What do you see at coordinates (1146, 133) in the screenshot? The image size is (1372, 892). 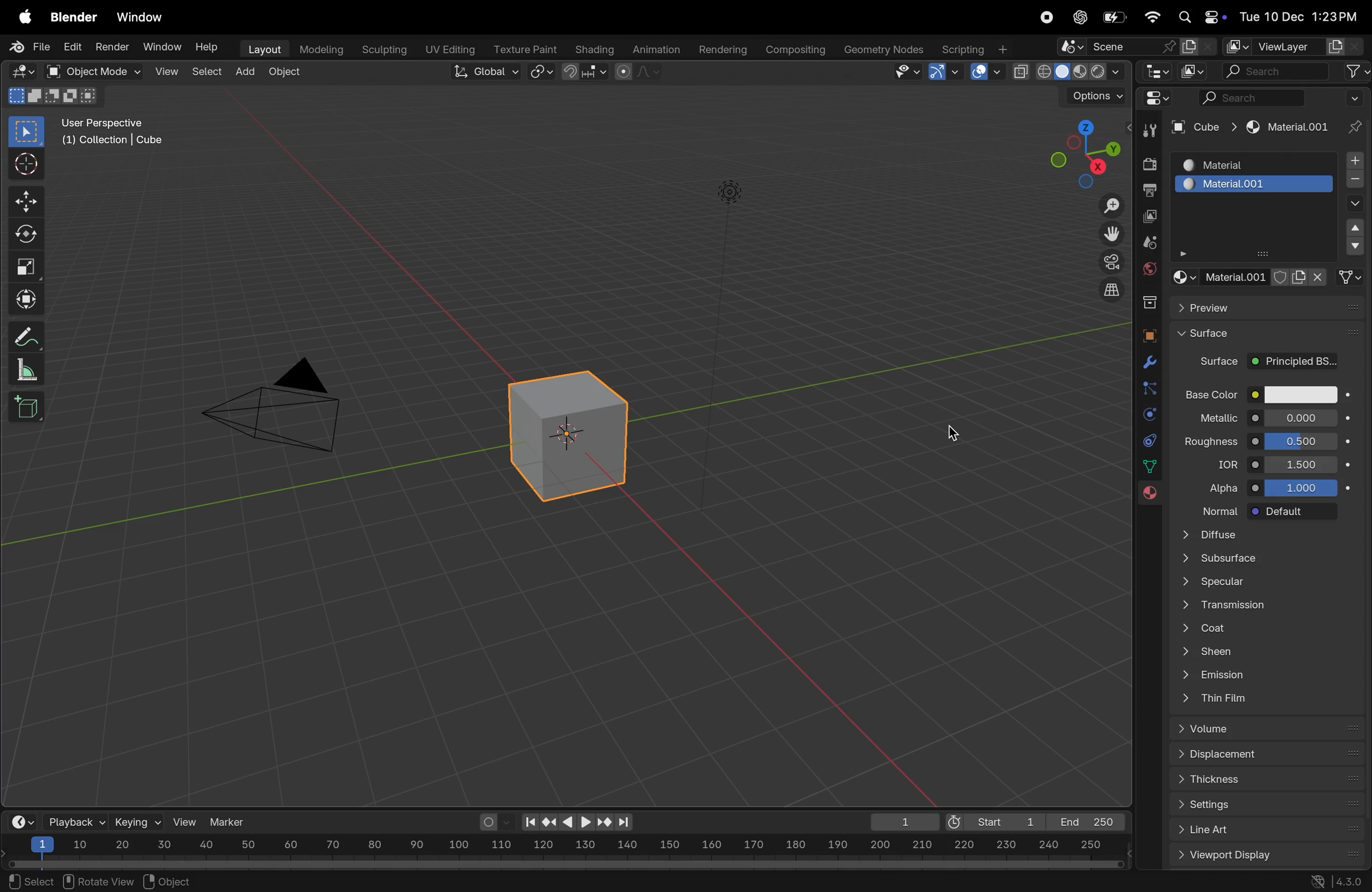 I see `tool` at bounding box center [1146, 133].